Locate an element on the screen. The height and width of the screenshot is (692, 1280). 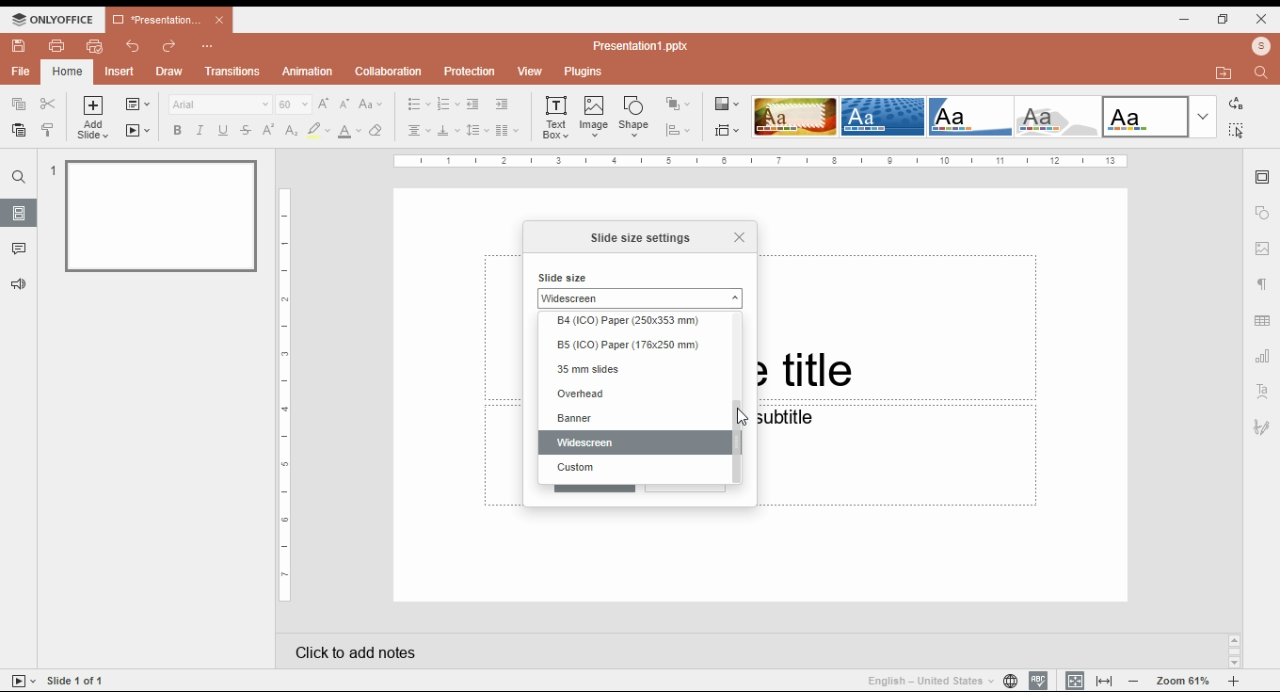
B5 (ICO) Paper (176x250 mm) is located at coordinates (631, 347).